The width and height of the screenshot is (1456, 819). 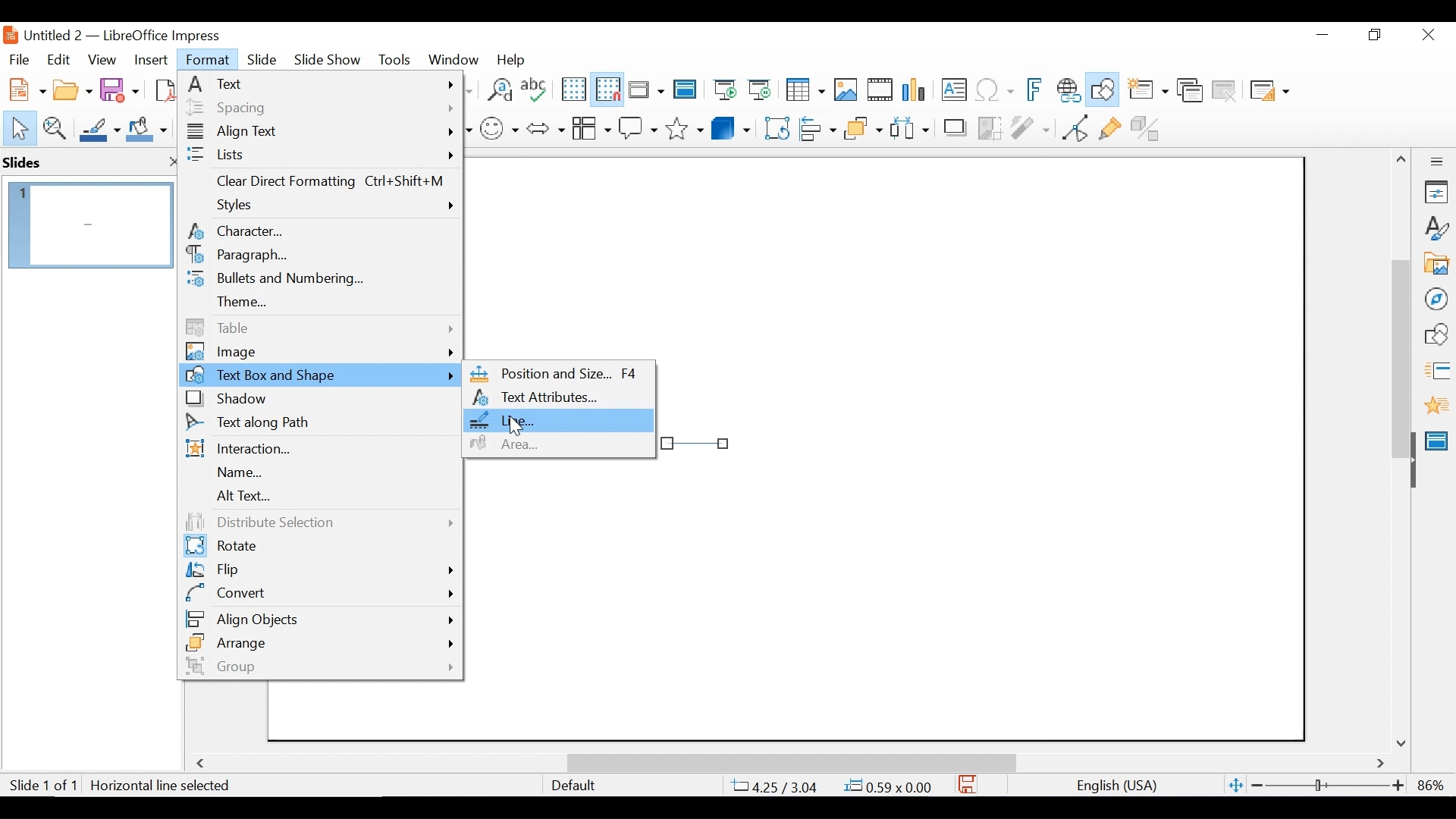 What do you see at coordinates (209, 60) in the screenshot?
I see `Format` at bounding box center [209, 60].